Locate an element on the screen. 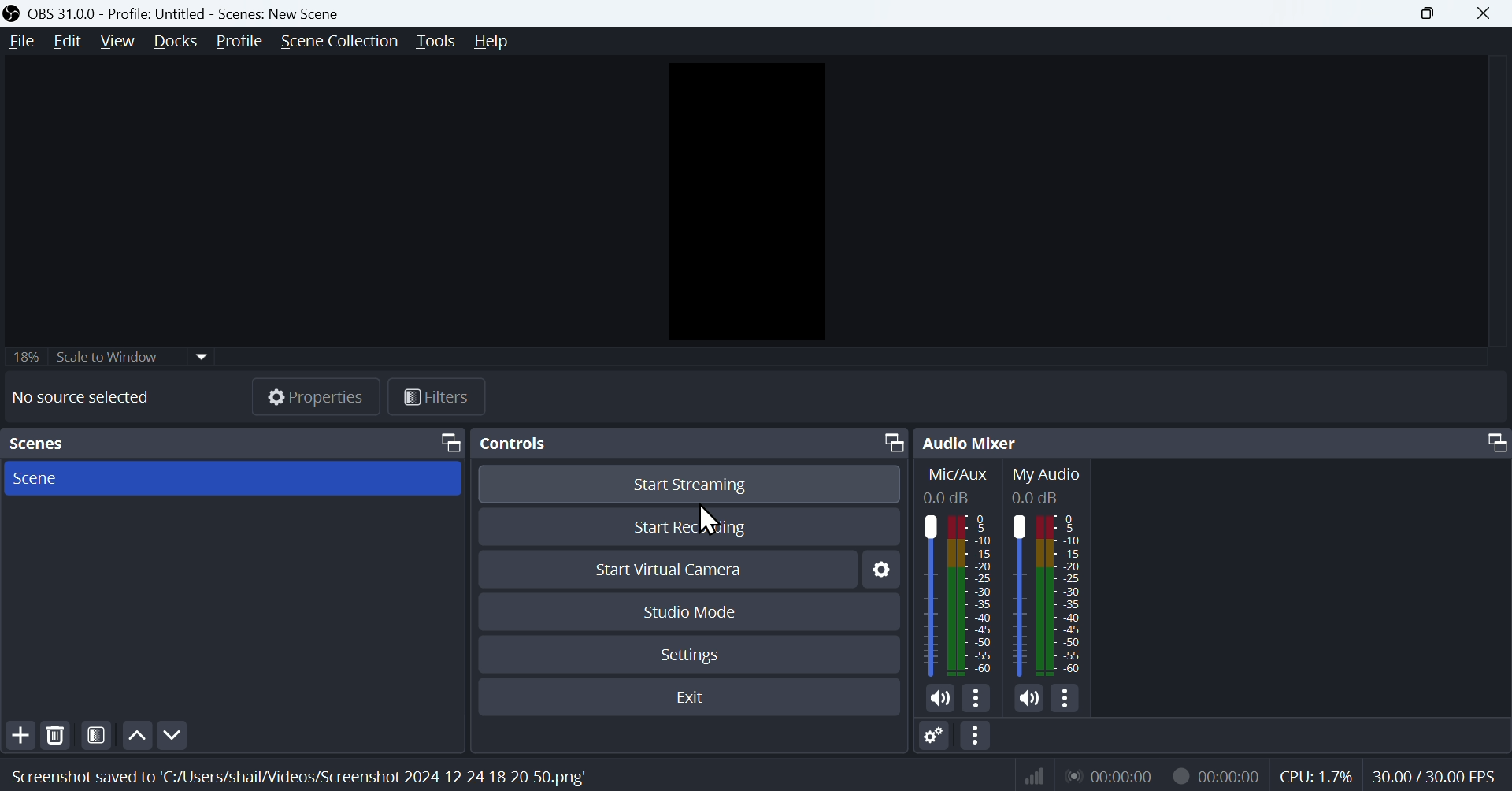 This screenshot has height=791, width=1512. 18% is located at coordinates (24, 355).